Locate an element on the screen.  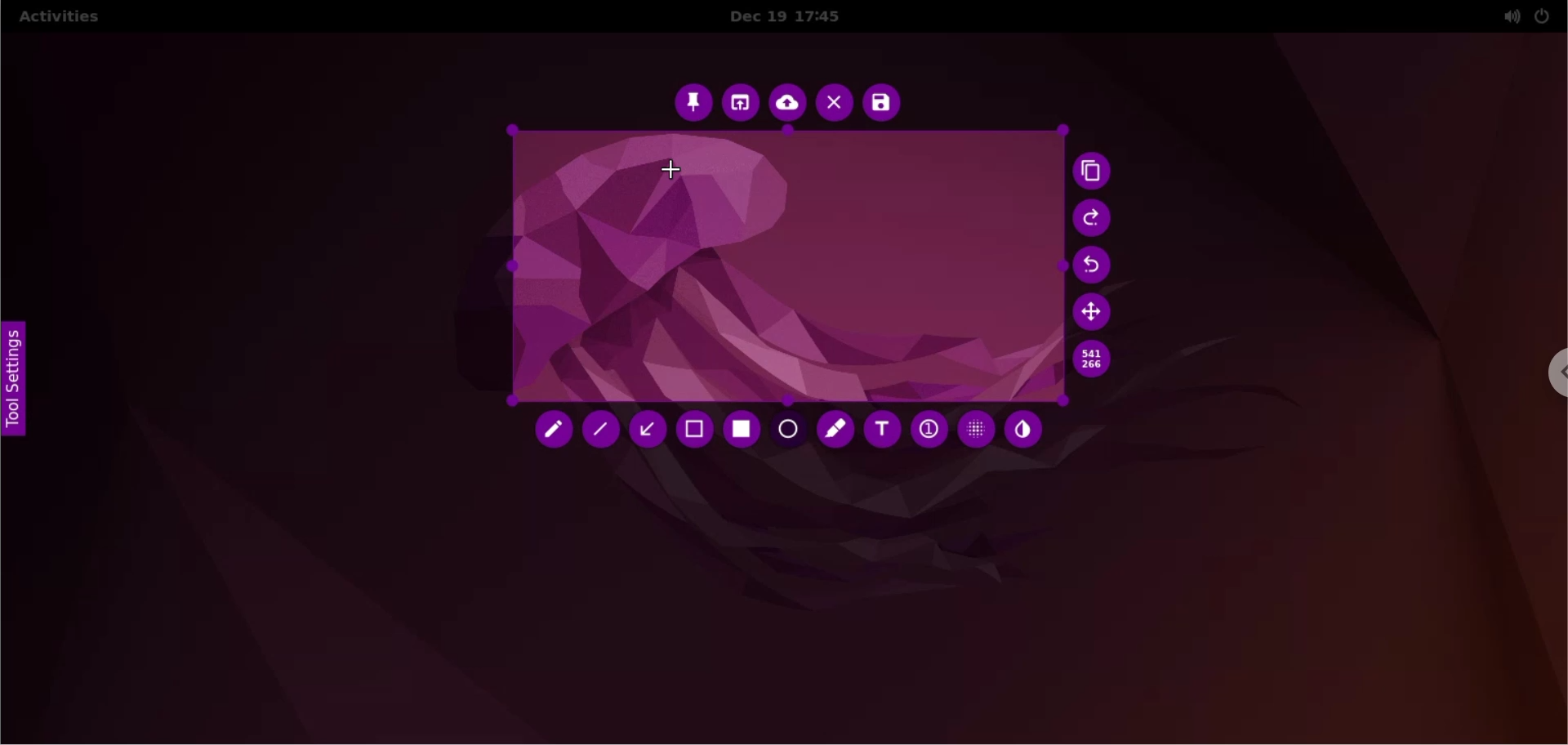
circle tool is located at coordinates (790, 431).